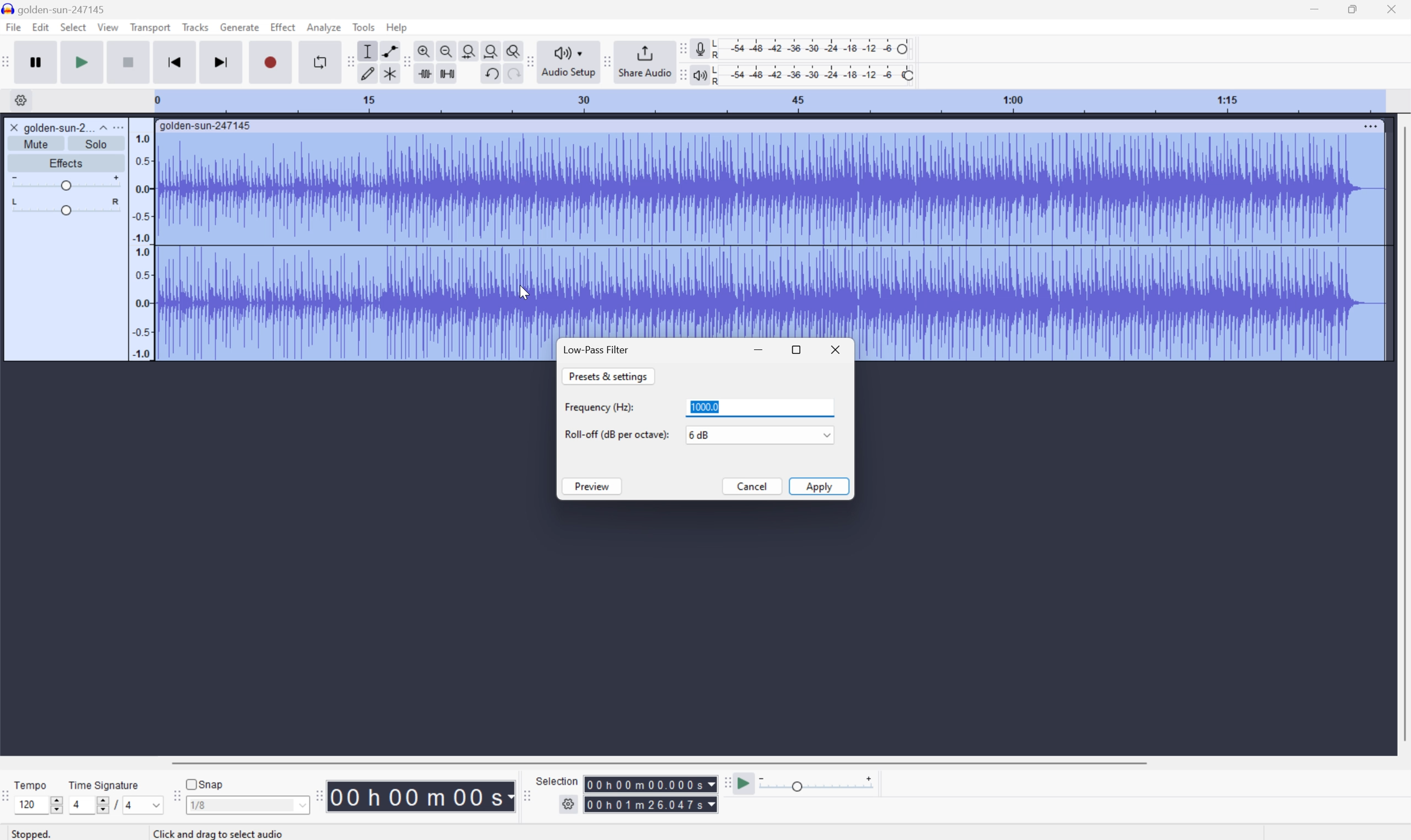 The width and height of the screenshot is (1411, 840). Describe the element at coordinates (650, 784) in the screenshot. I see `` at that location.